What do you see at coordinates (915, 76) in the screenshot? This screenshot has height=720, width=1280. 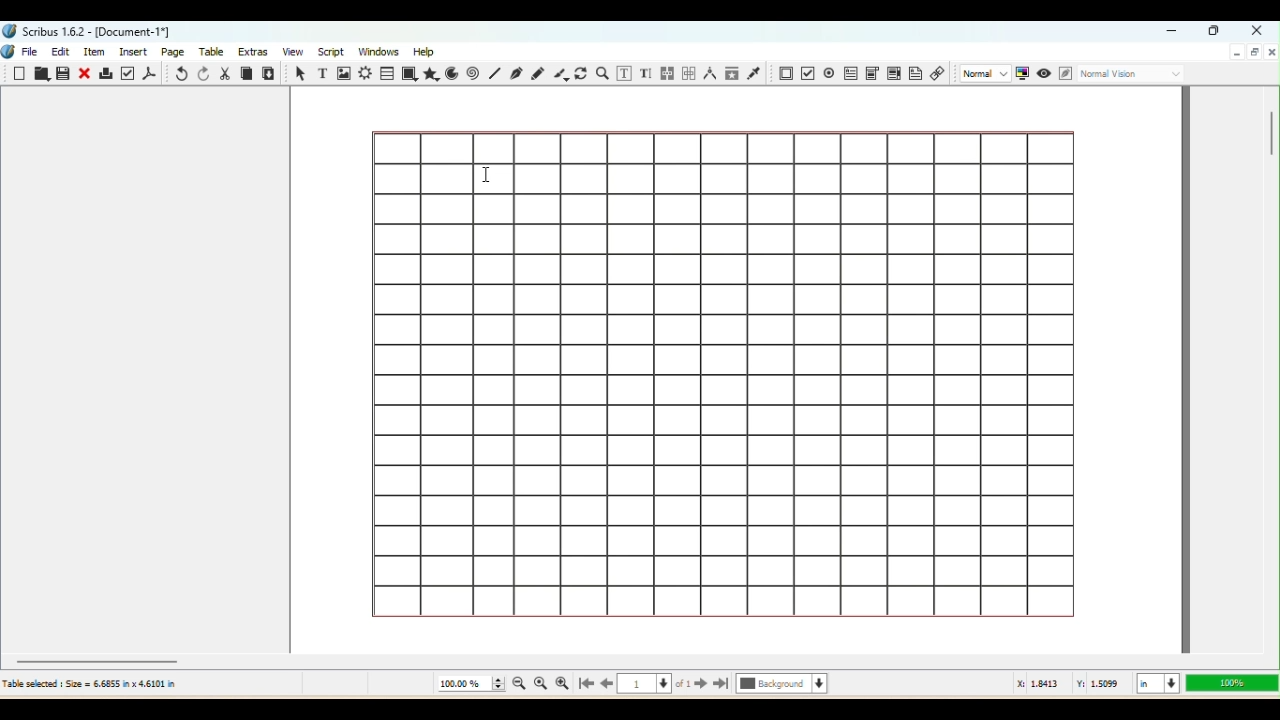 I see `Text Annotation` at bounding box center [915, 76].